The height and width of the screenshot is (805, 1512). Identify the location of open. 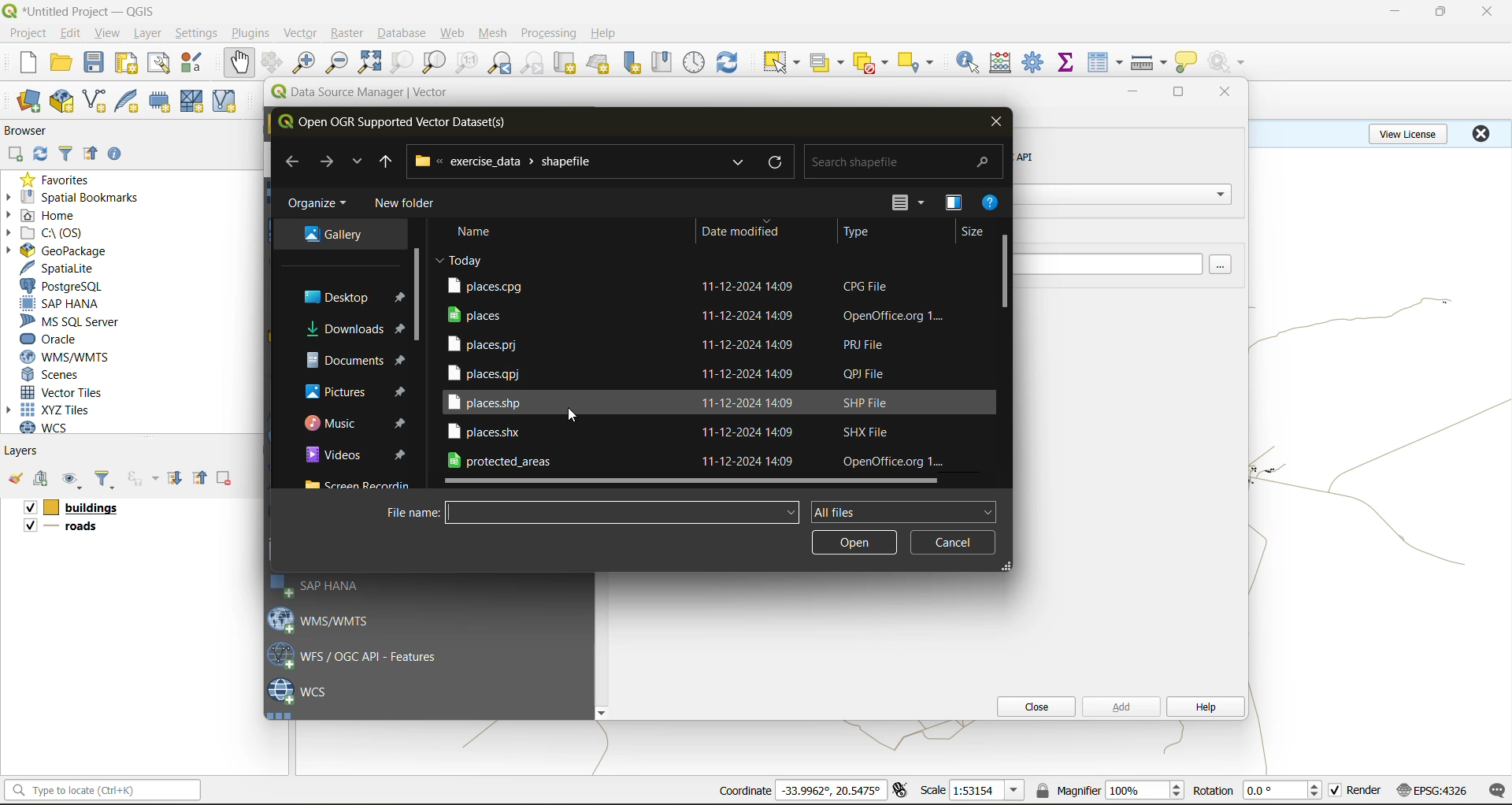
(855, 544).